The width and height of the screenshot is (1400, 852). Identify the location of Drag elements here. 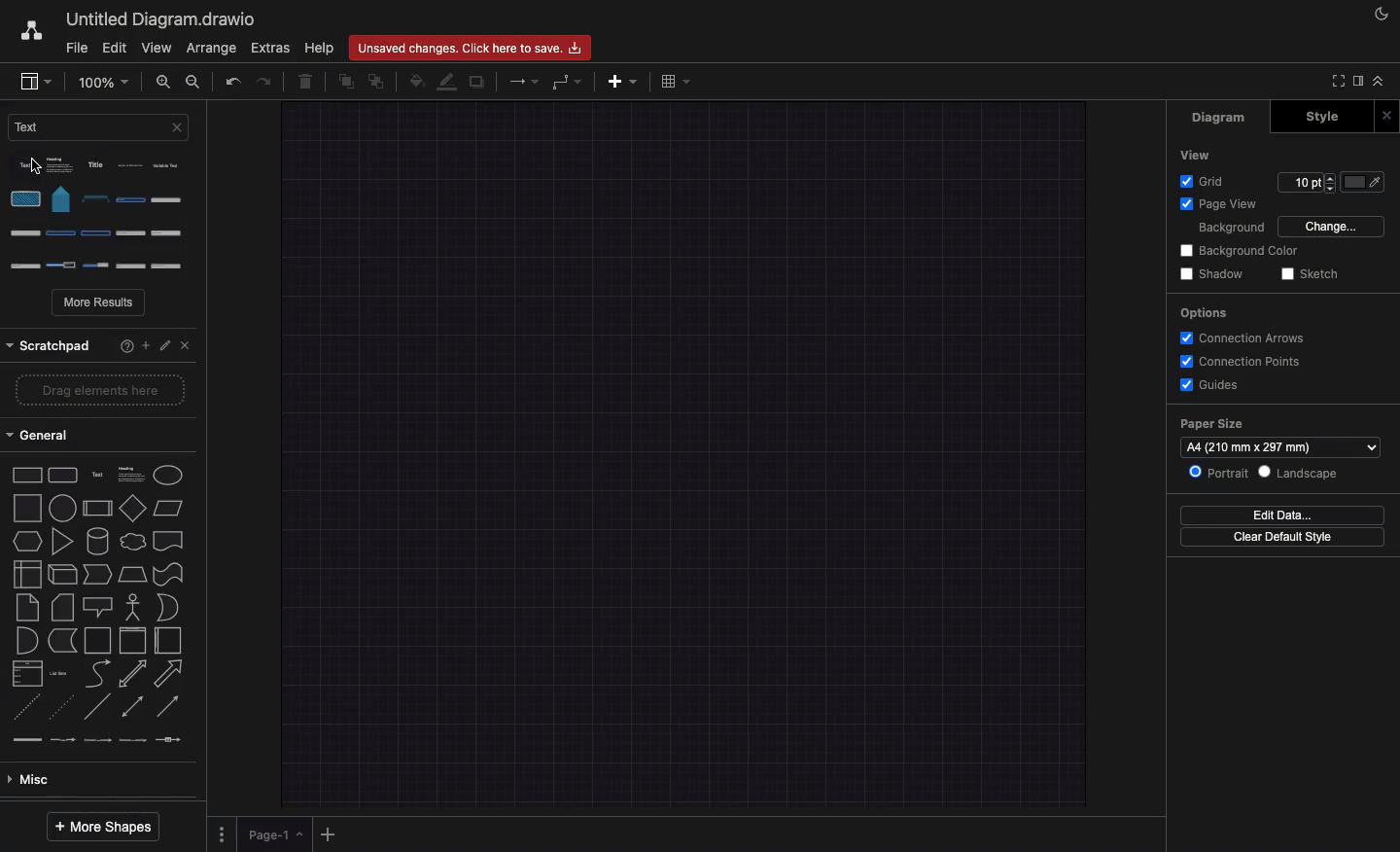
(92, 392).